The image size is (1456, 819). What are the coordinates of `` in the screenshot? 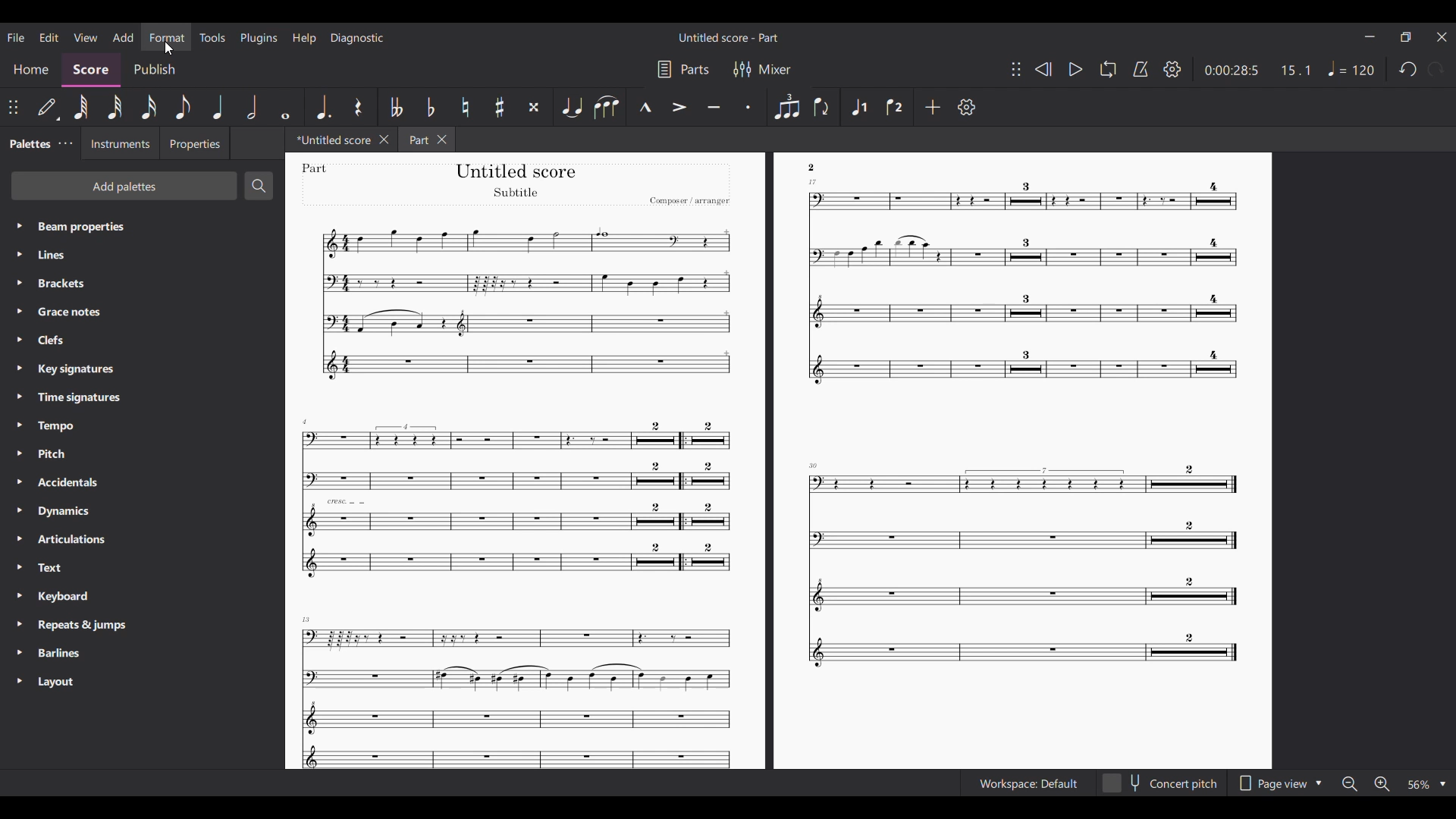 It's located at (515, 169).